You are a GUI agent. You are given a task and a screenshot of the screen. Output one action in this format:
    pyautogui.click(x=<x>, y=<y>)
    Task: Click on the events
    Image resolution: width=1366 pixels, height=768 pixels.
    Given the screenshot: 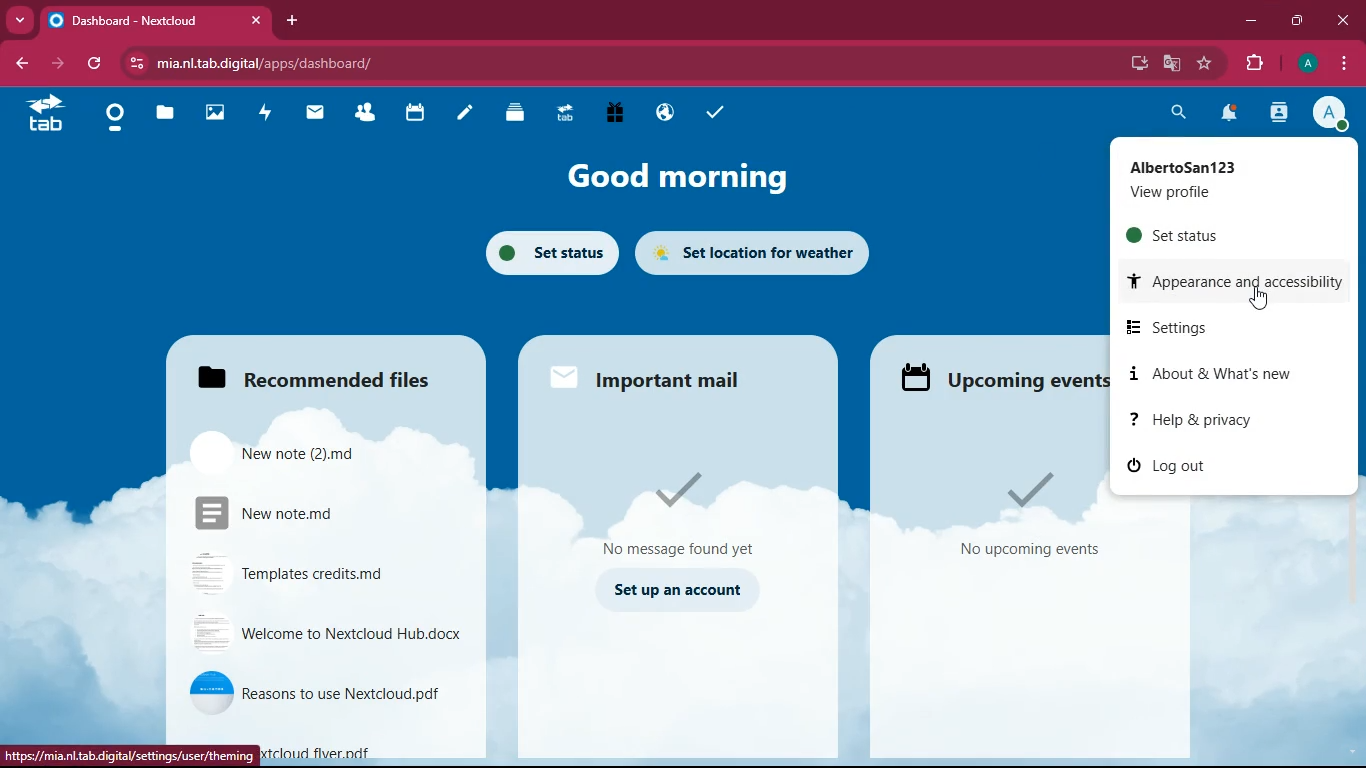 What is the action you would take?
    pyautogui.click(x=998, y=377)
    